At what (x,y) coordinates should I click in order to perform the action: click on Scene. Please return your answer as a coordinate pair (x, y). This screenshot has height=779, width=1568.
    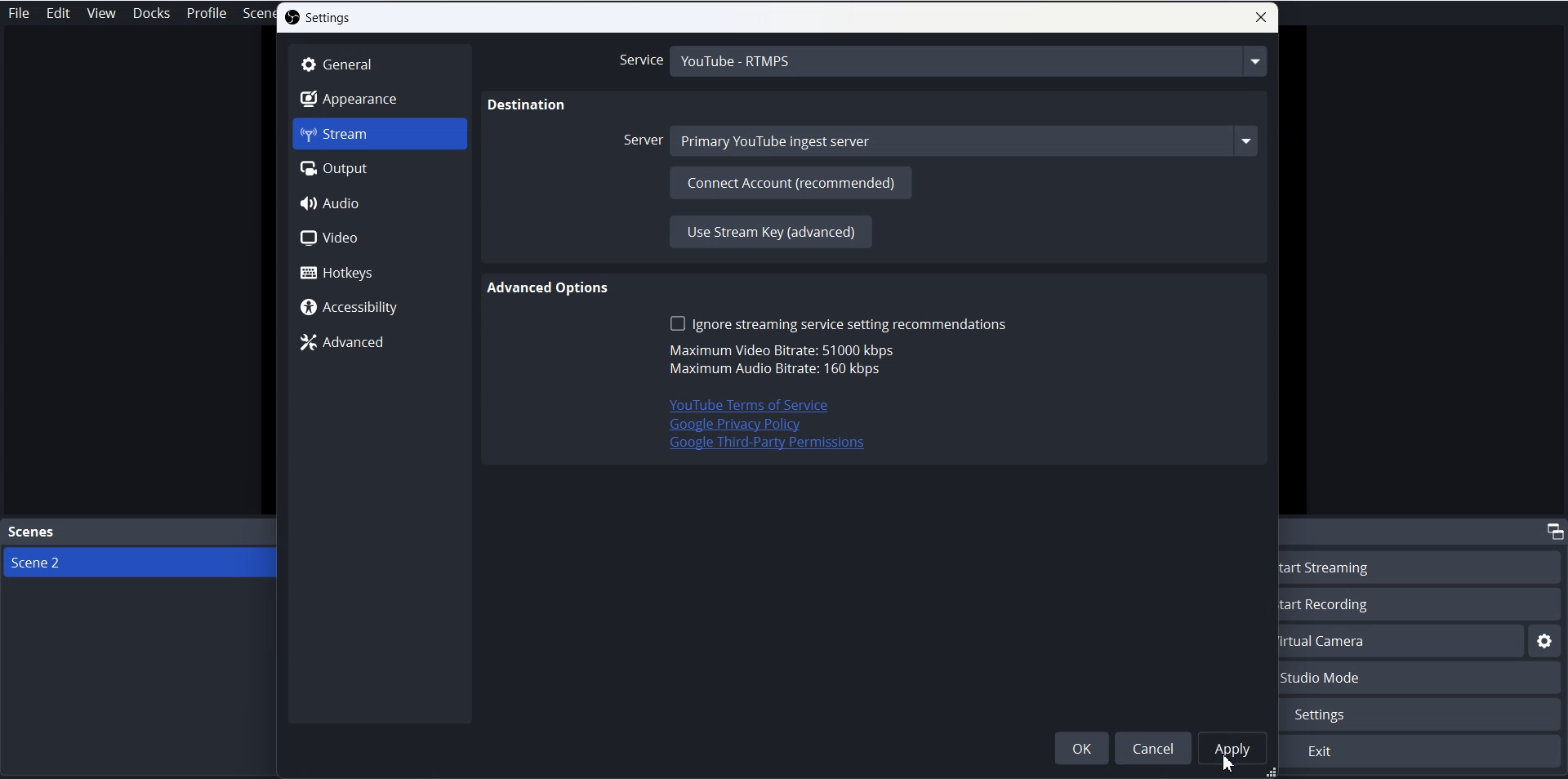
    Looking at the image, I should click on (259, 15).